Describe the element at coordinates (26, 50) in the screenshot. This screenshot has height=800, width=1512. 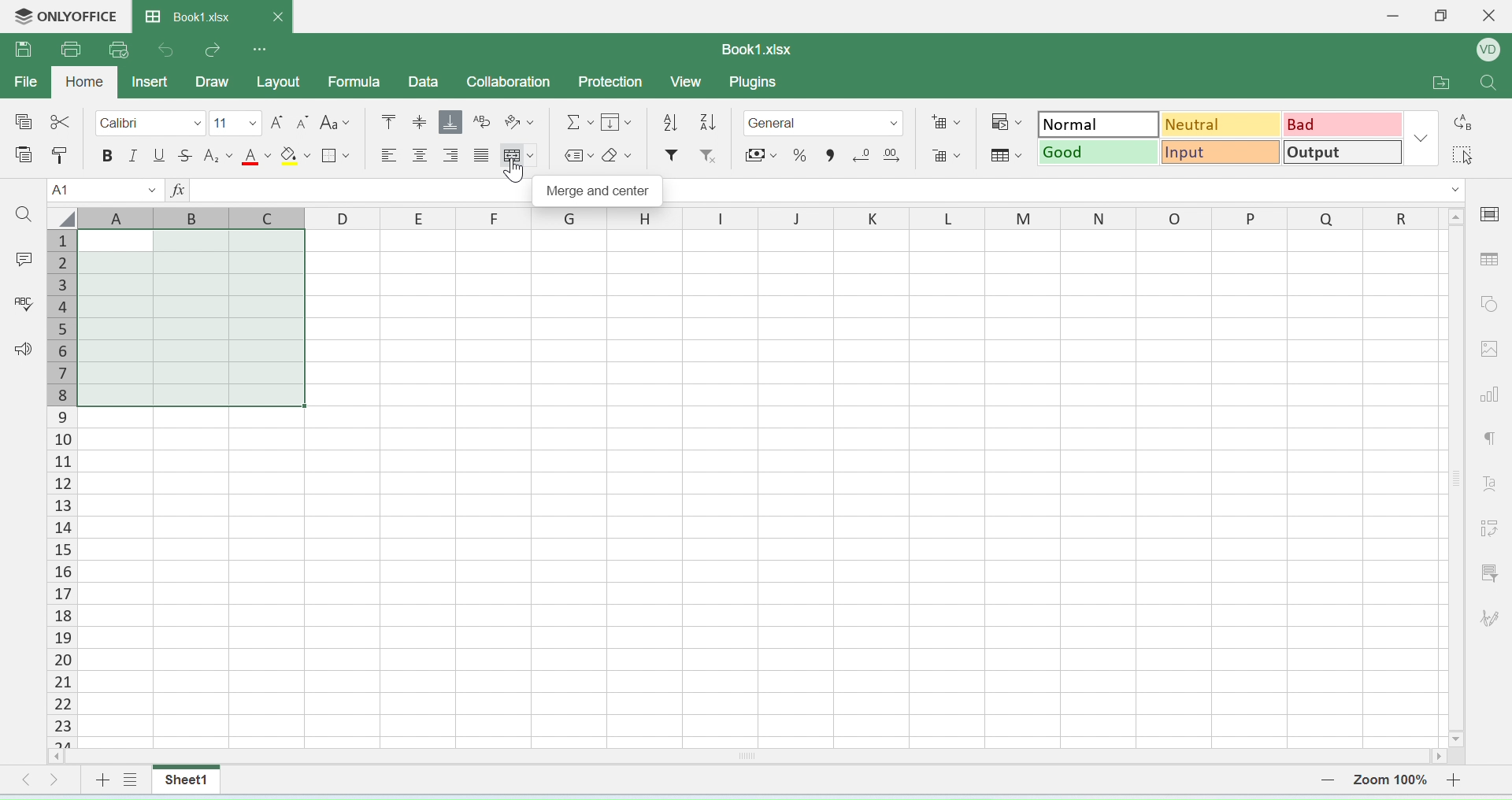
I see `save` at that location.